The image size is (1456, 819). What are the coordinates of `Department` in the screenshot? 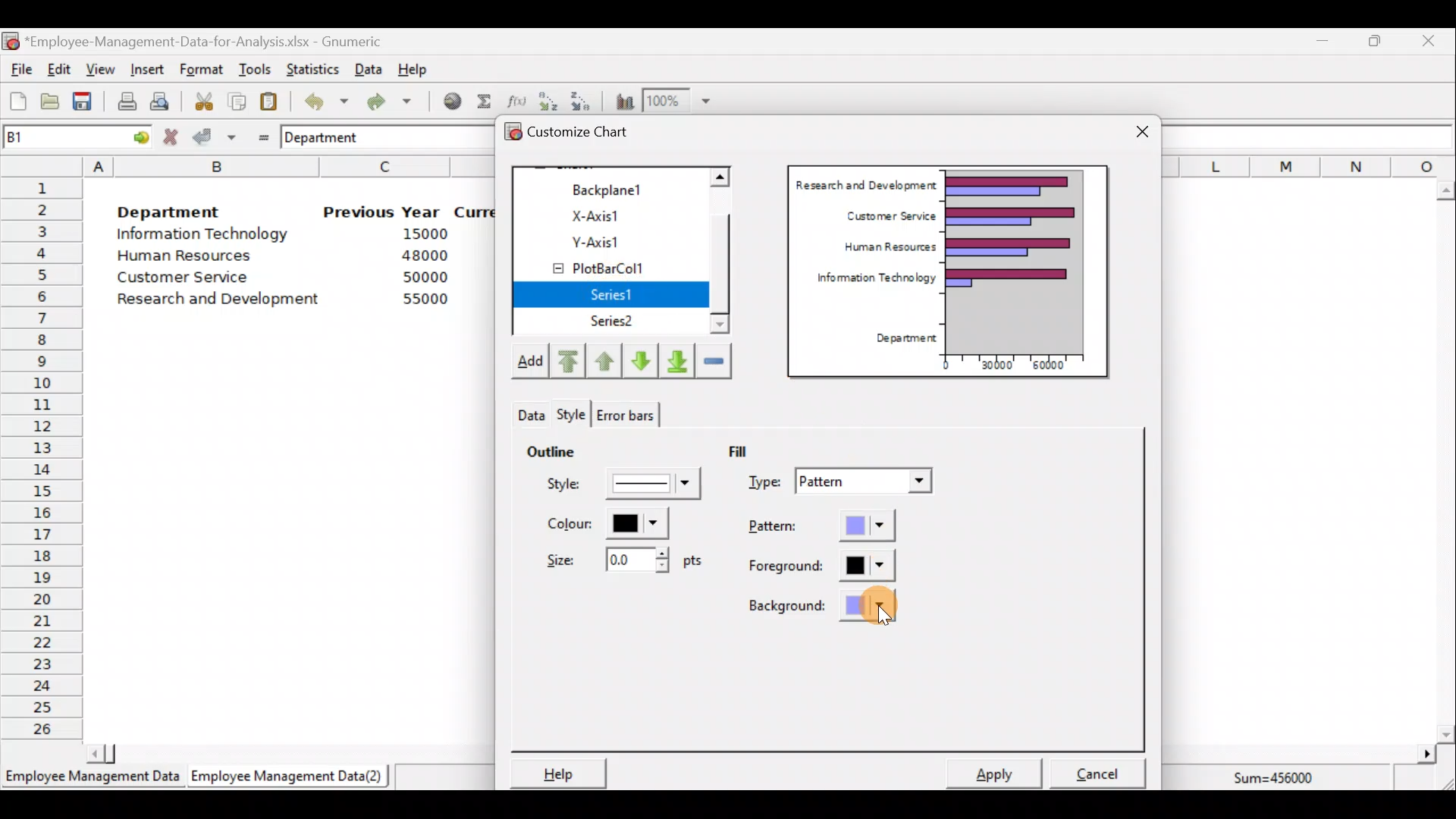 It's located at (331, 136).